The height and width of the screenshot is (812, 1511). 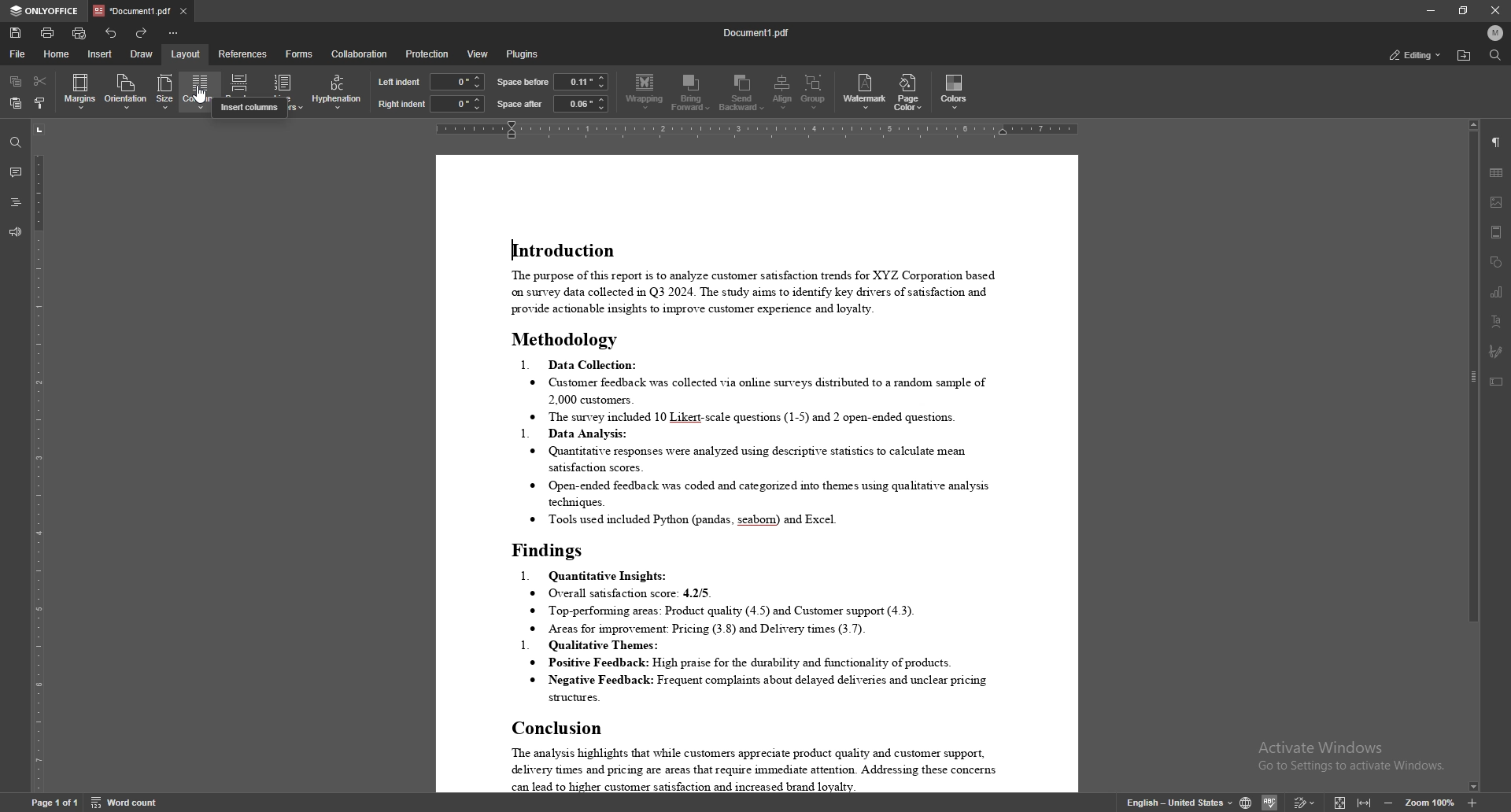 I want to click on close tab, so click(x=185, y=11).